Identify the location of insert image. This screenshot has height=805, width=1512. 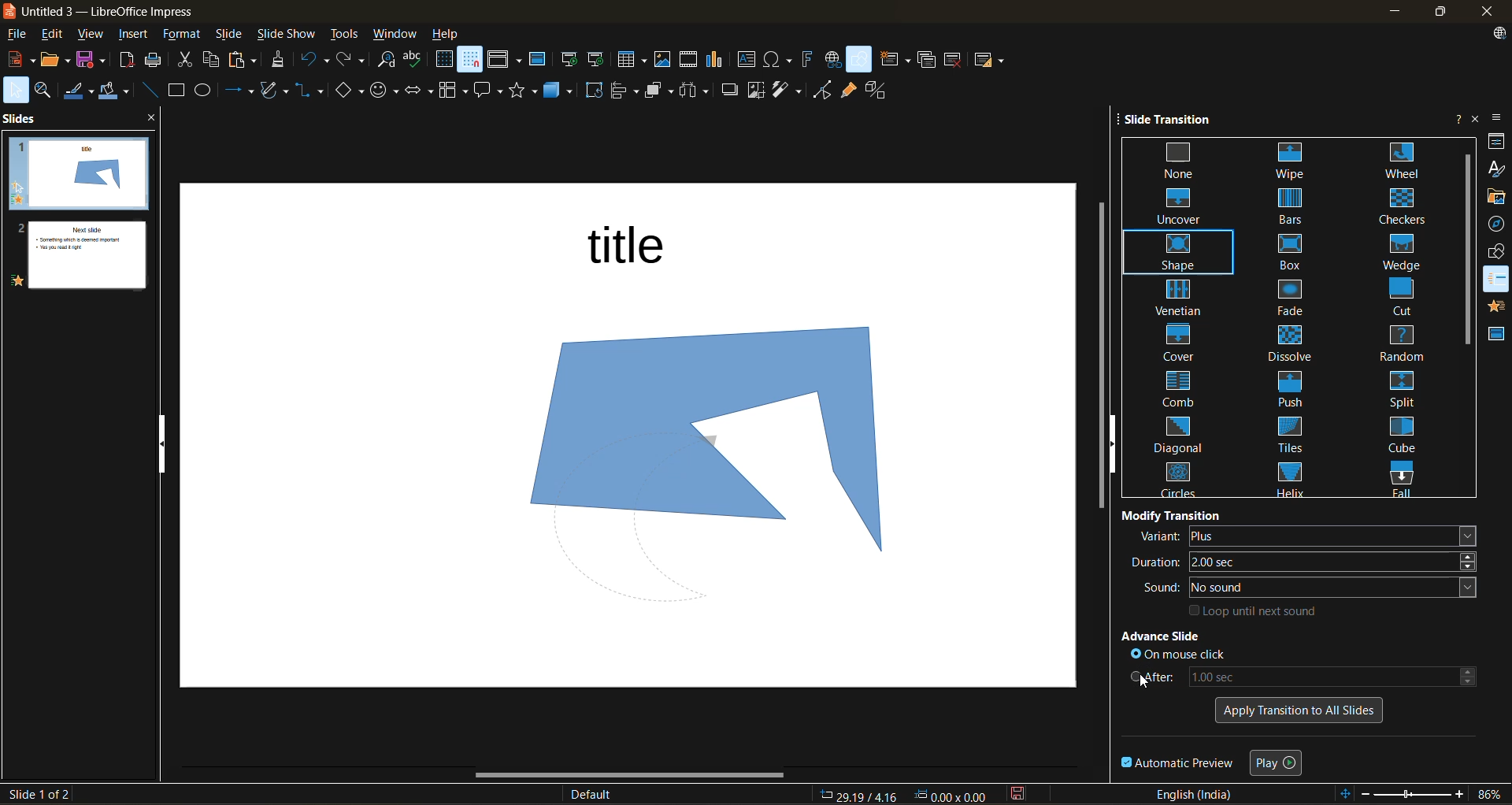
(665, 58).